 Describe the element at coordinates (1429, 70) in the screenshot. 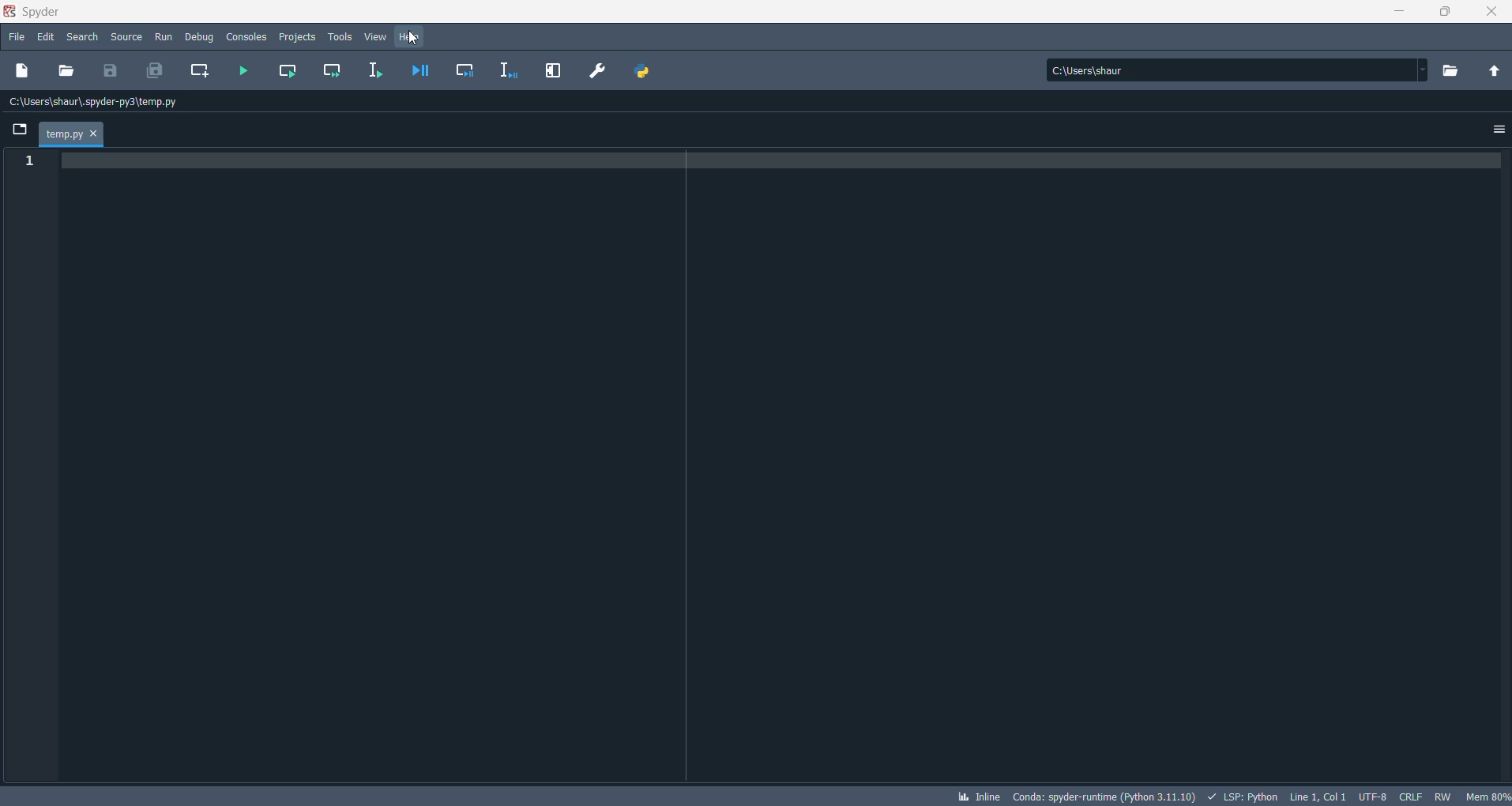

I see `path dropdown` at that location.